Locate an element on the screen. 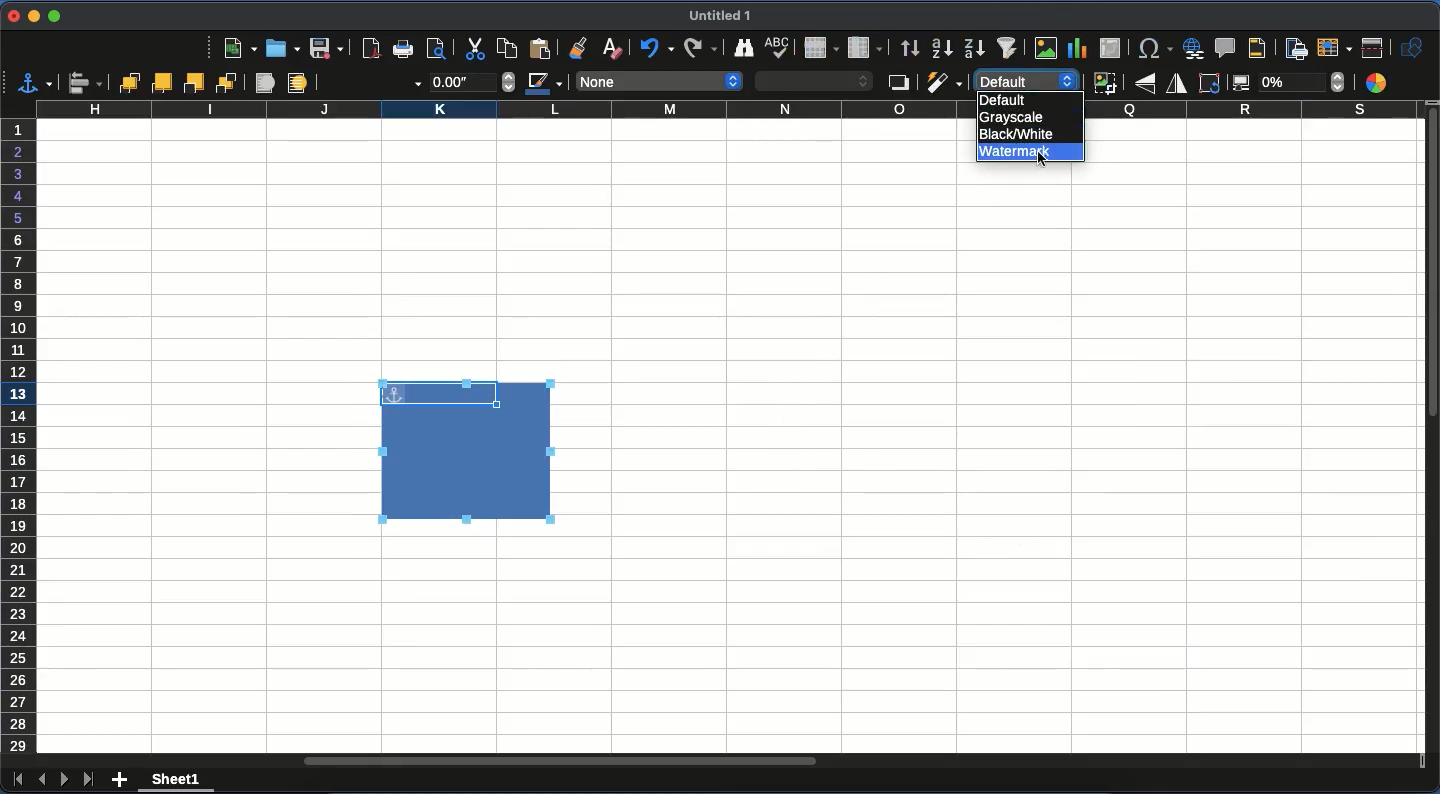 The height and width of the screenshot is (794, 1440). comment is located at coordinates (1226, 47).